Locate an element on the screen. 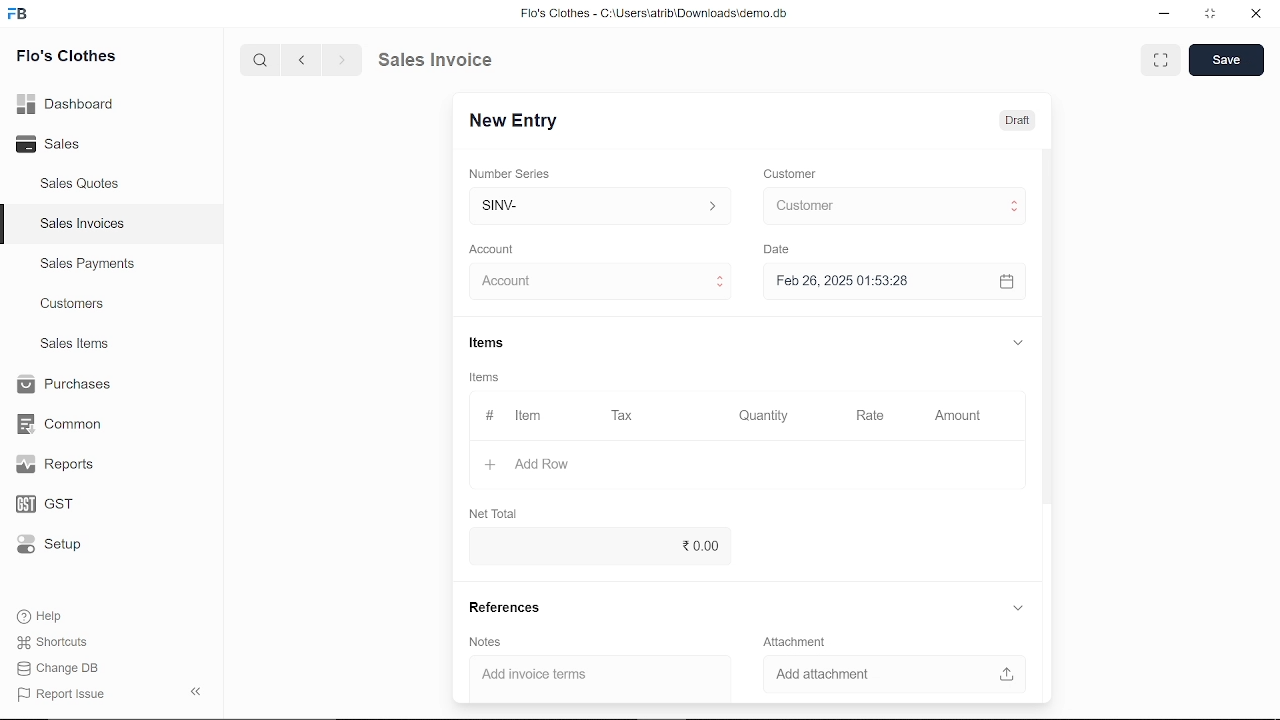 Image resolution: width=1280 pixels, height=720 pixels. Customer is located at coordinates (890, 205).